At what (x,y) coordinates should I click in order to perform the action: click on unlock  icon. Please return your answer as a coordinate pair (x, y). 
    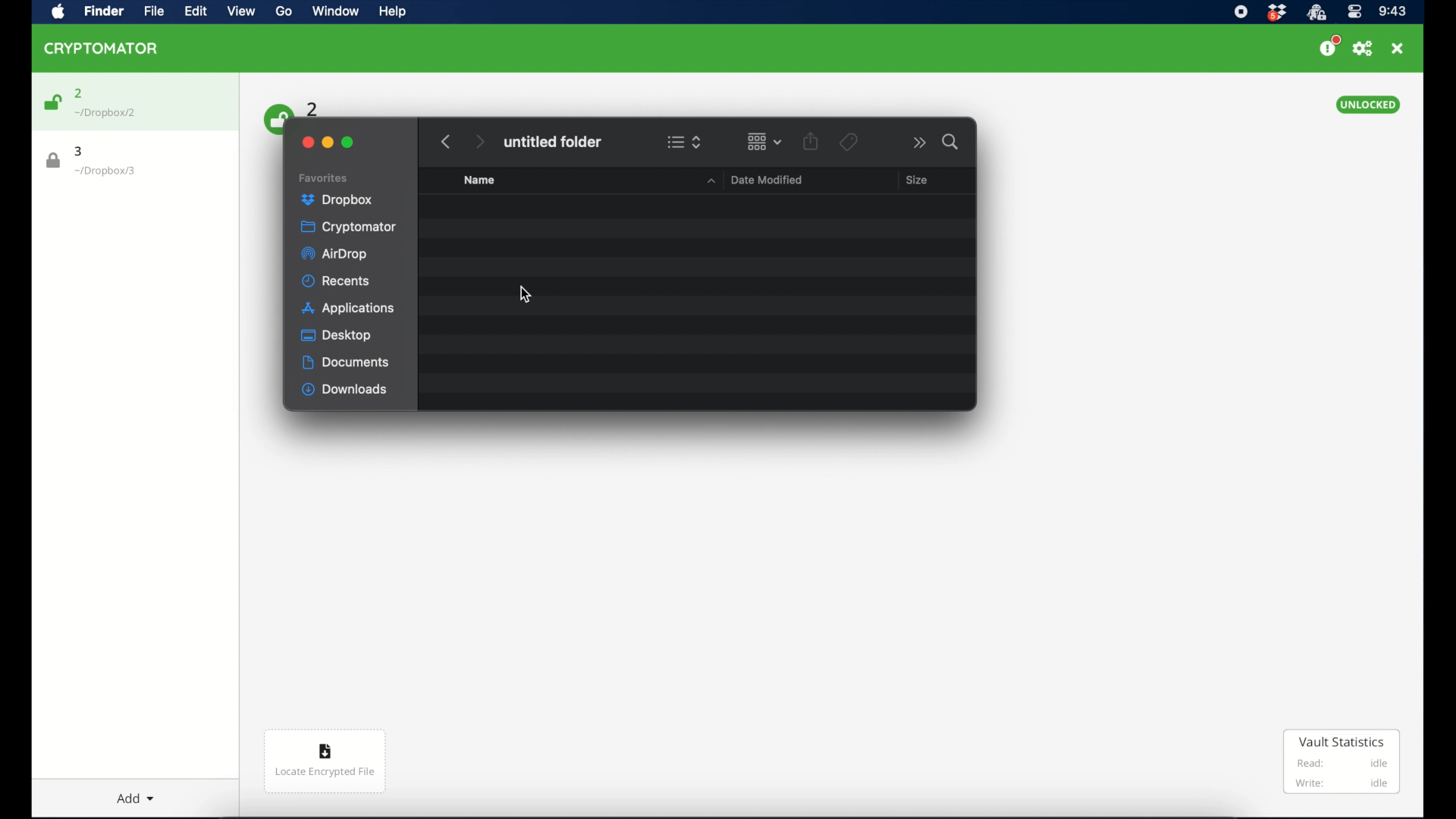
    Looking at the image, I should click on (52, 102).